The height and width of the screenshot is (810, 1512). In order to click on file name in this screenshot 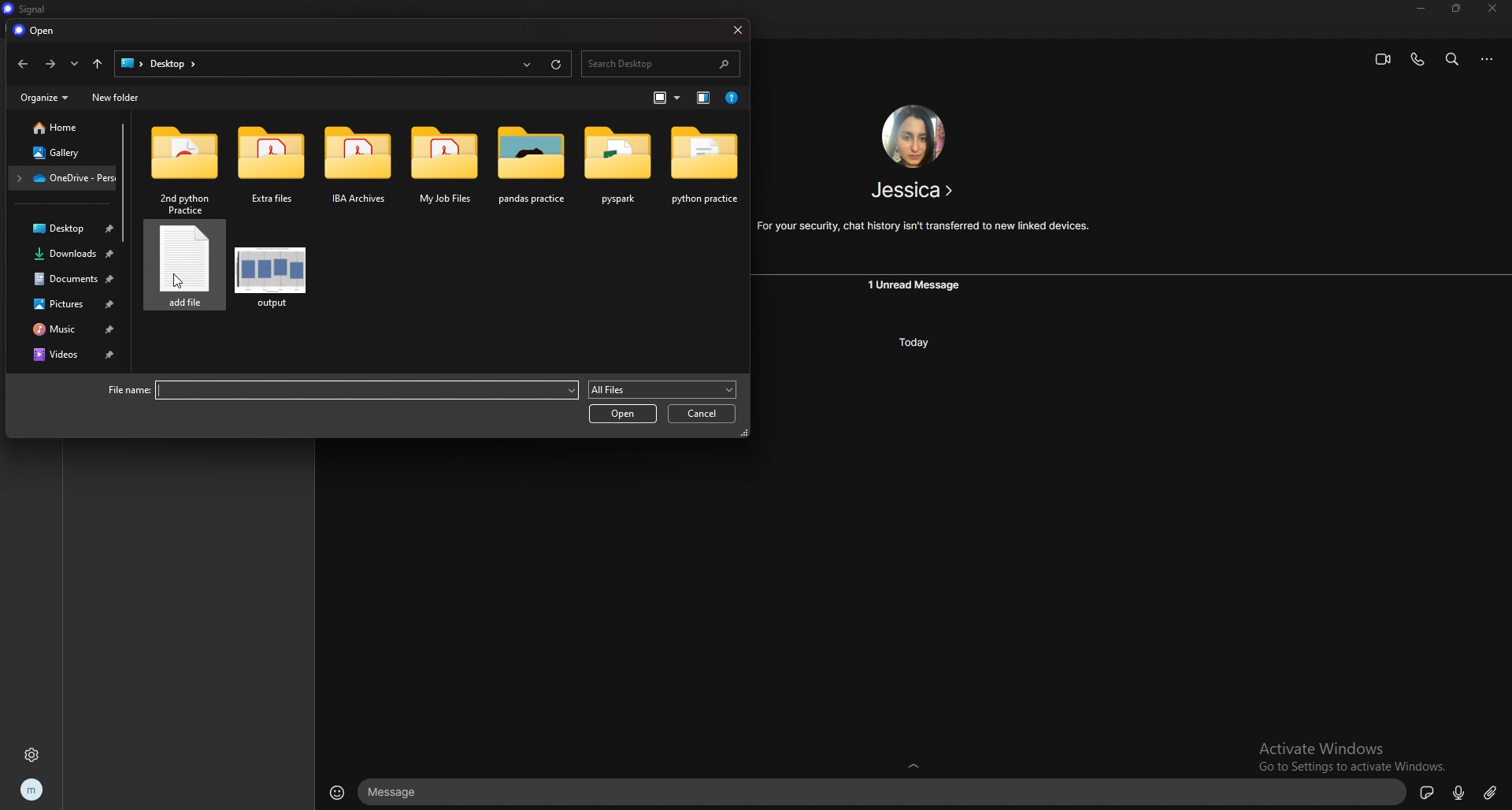, I will do `click(343, 390)`.